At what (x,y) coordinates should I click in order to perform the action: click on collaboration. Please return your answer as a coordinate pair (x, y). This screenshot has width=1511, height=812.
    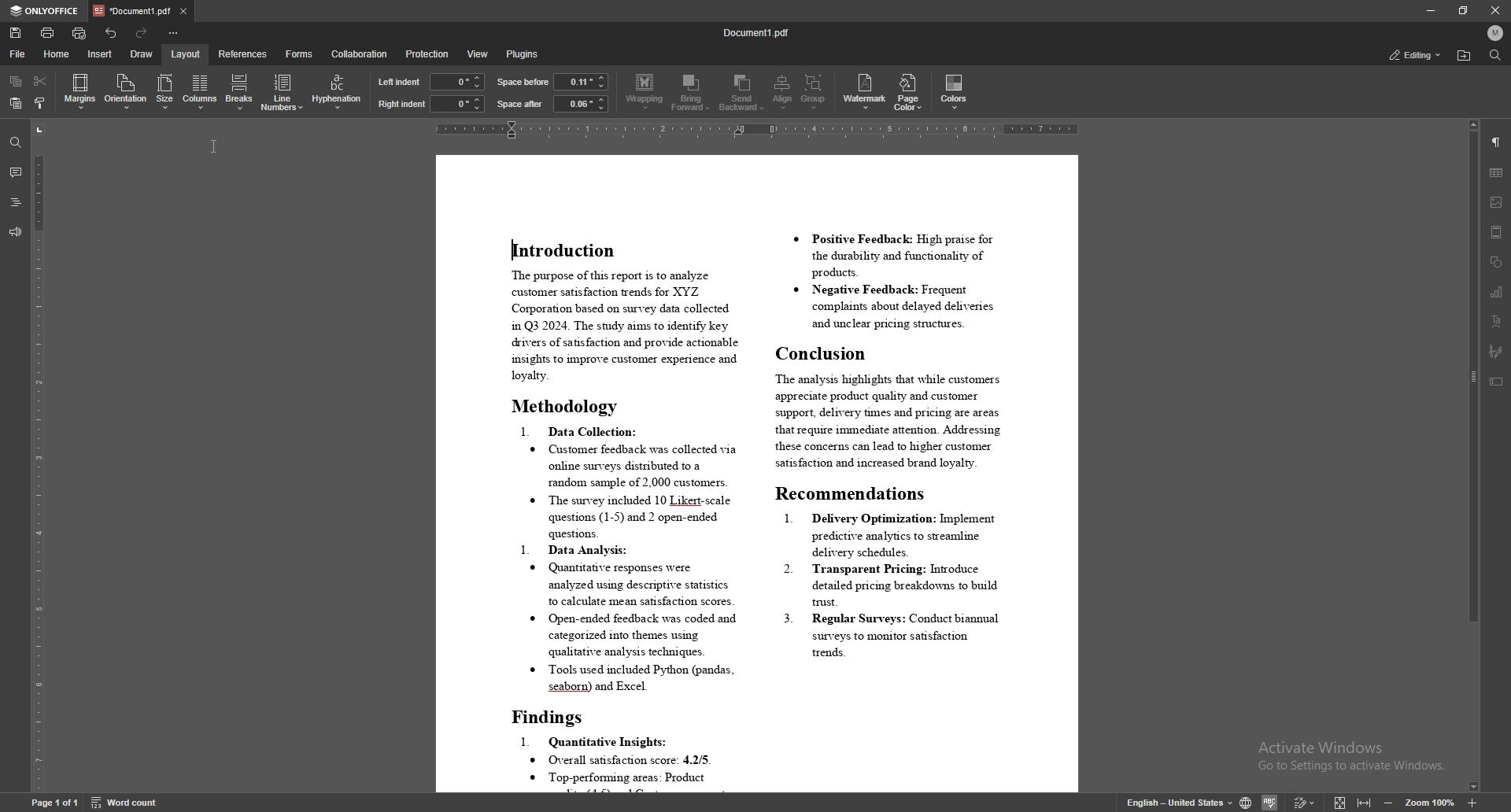
    Looking at the image, I should click on (359, 54).